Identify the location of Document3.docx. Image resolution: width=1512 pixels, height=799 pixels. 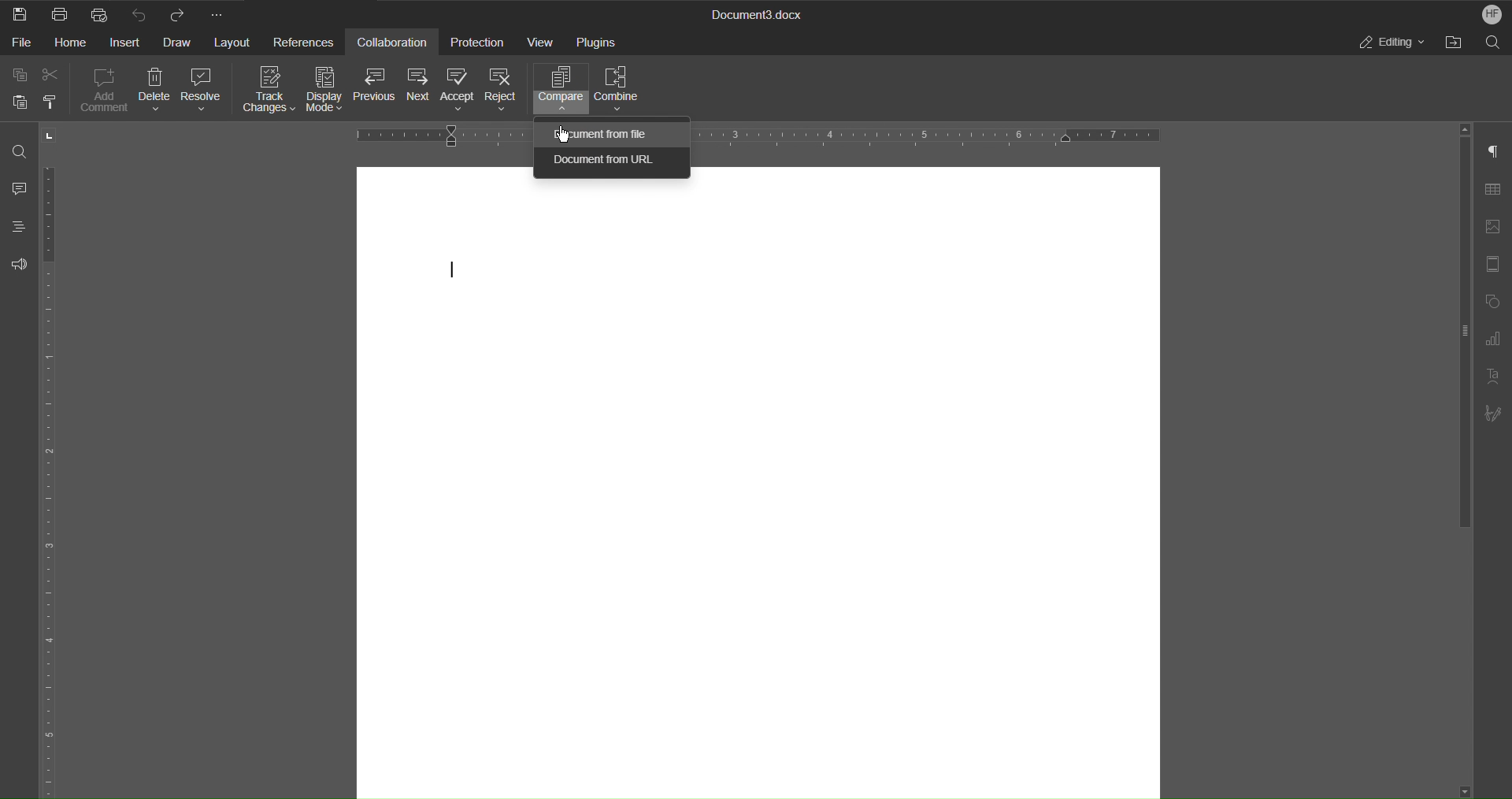
(759, 13).